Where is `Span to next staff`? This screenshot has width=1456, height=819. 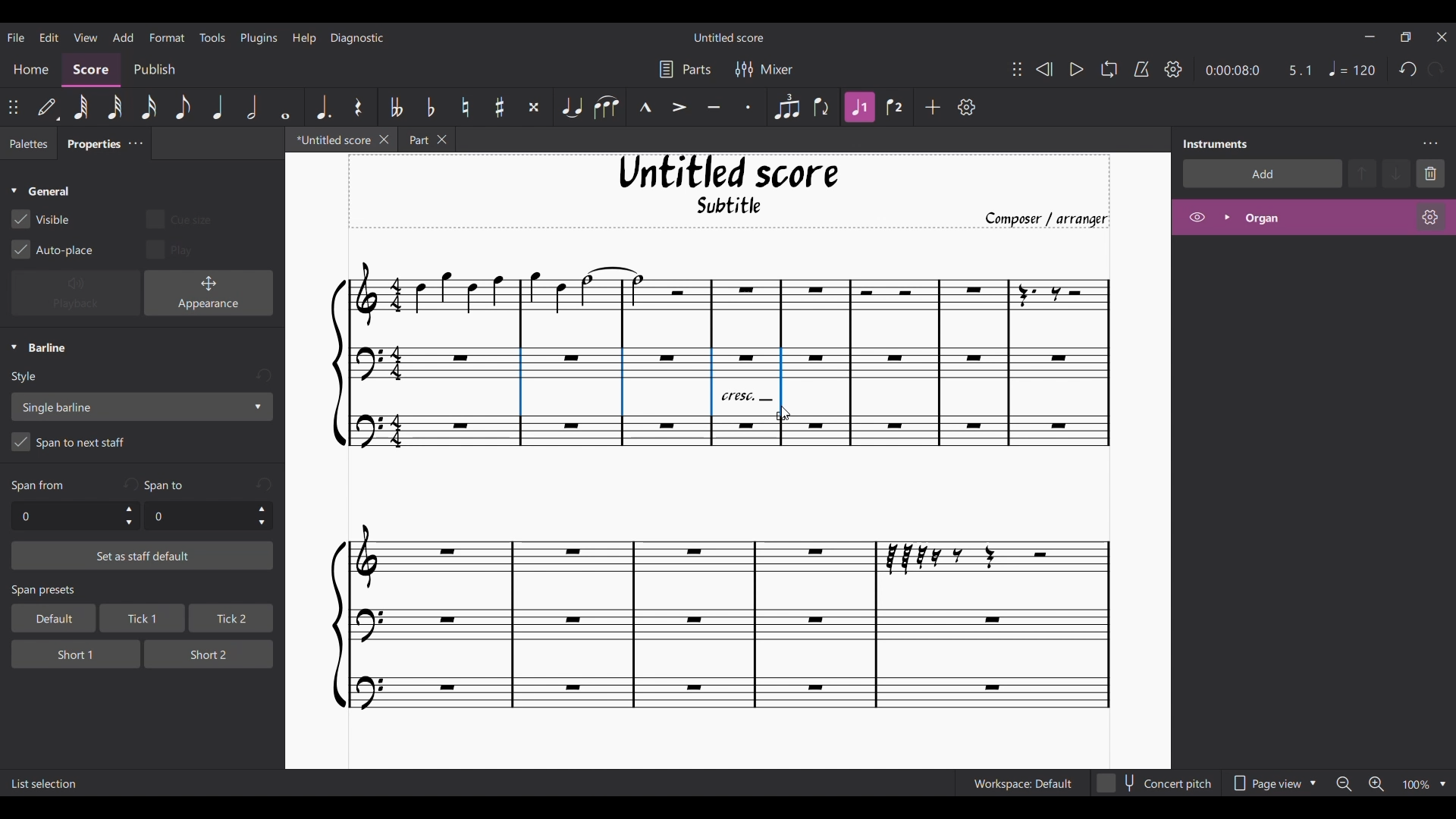
Span to next staff is located at coordinates (142, 444).